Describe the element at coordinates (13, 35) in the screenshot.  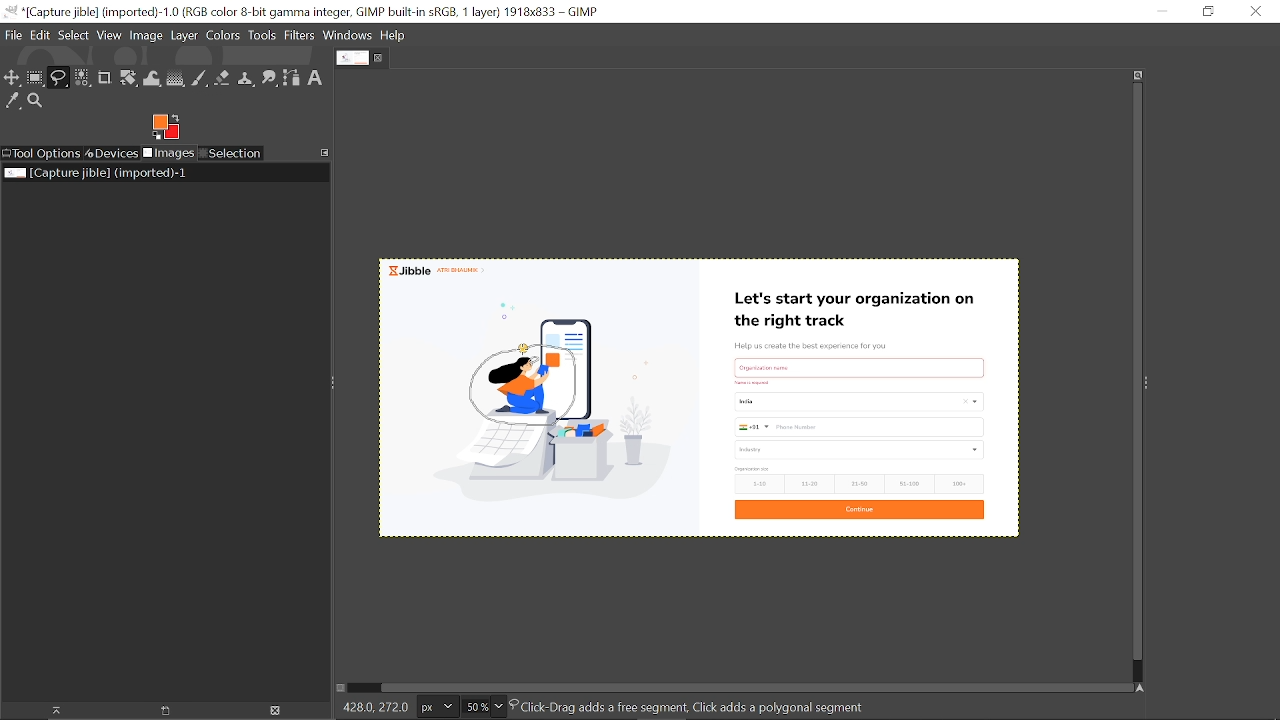
I see `File` at that location.